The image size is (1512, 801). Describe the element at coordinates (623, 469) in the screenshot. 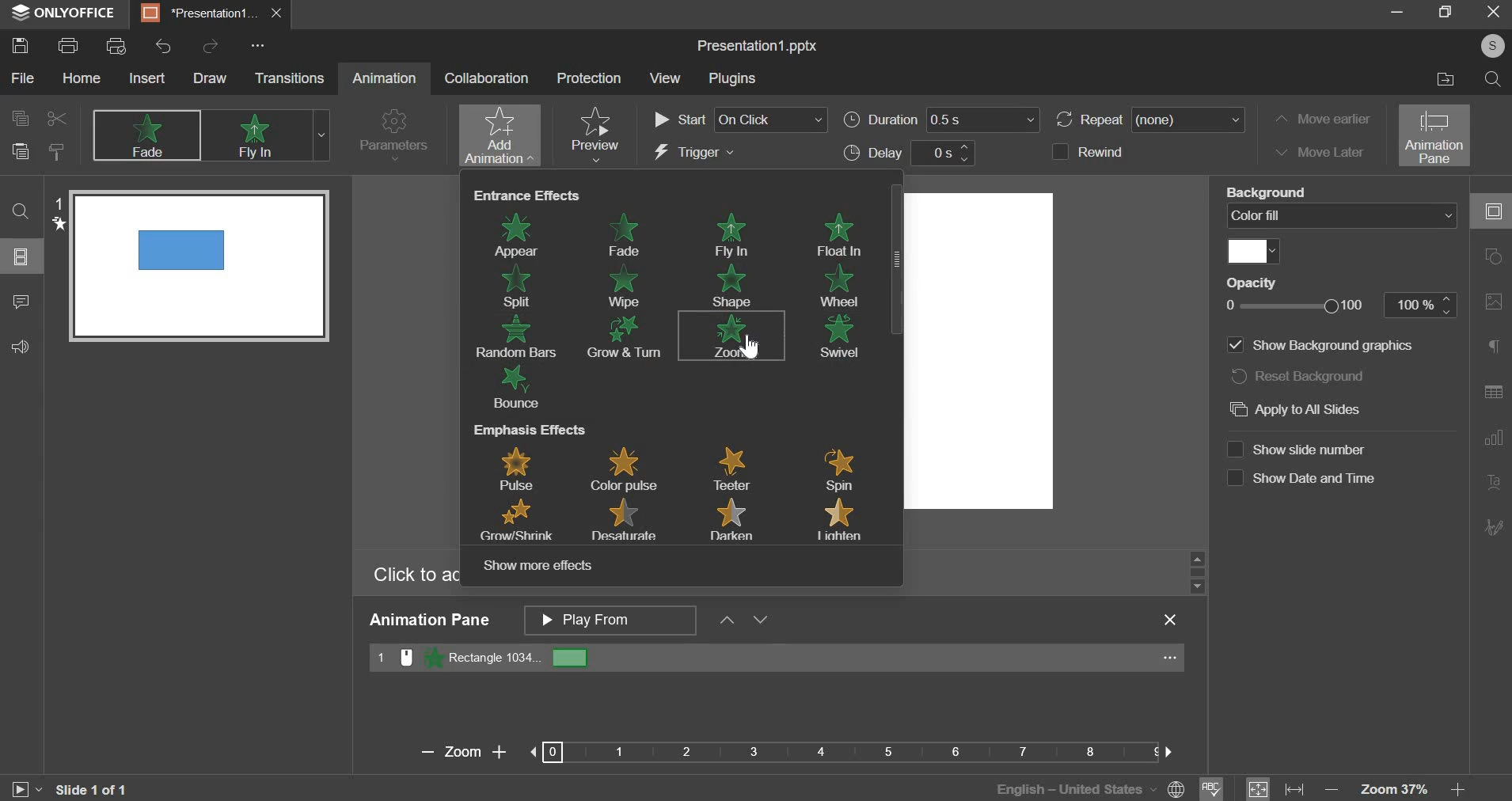

I see `color pulse` at that location.